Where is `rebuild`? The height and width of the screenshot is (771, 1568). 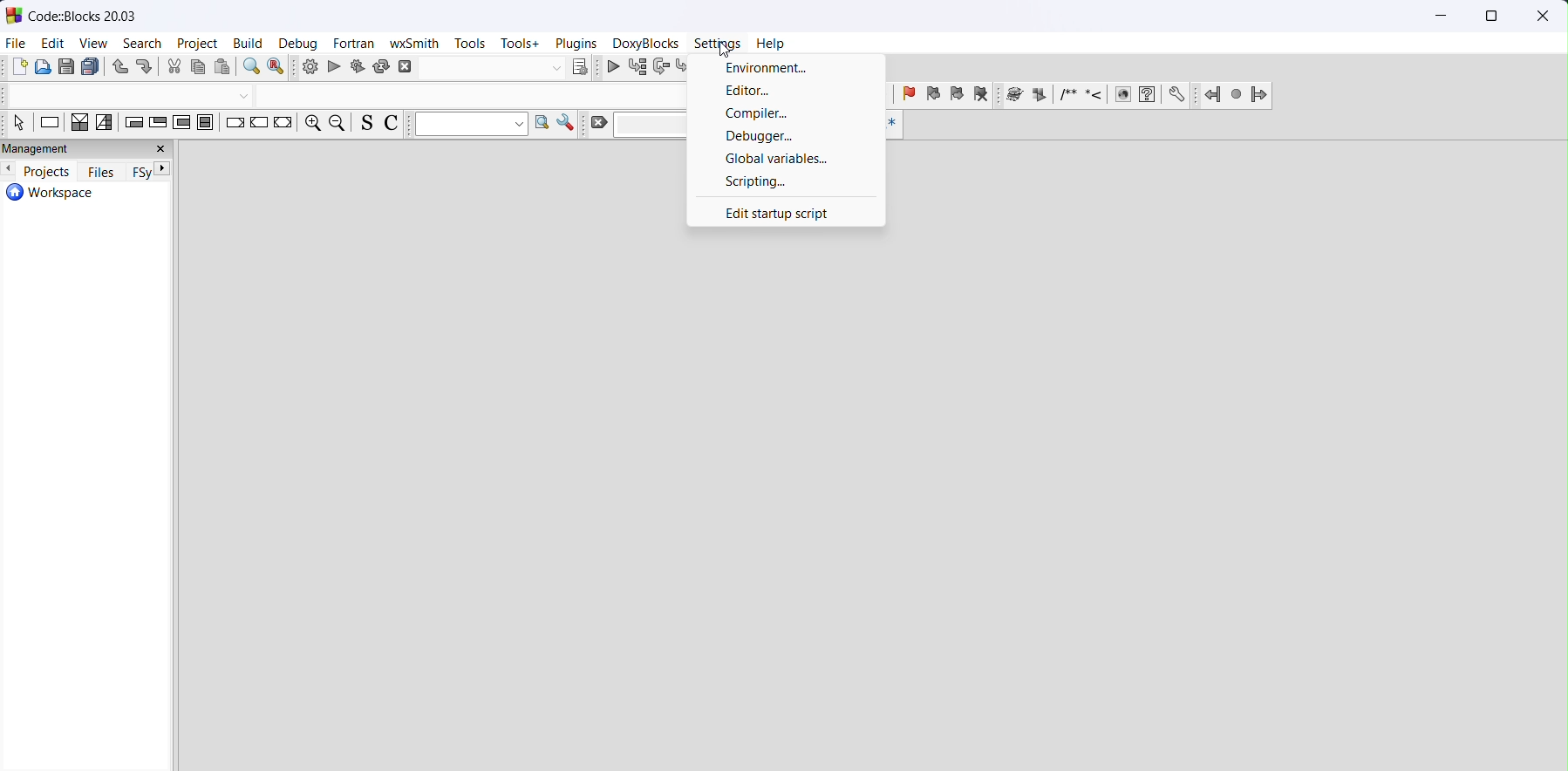
rebuild is located at coordinates (383, 67).